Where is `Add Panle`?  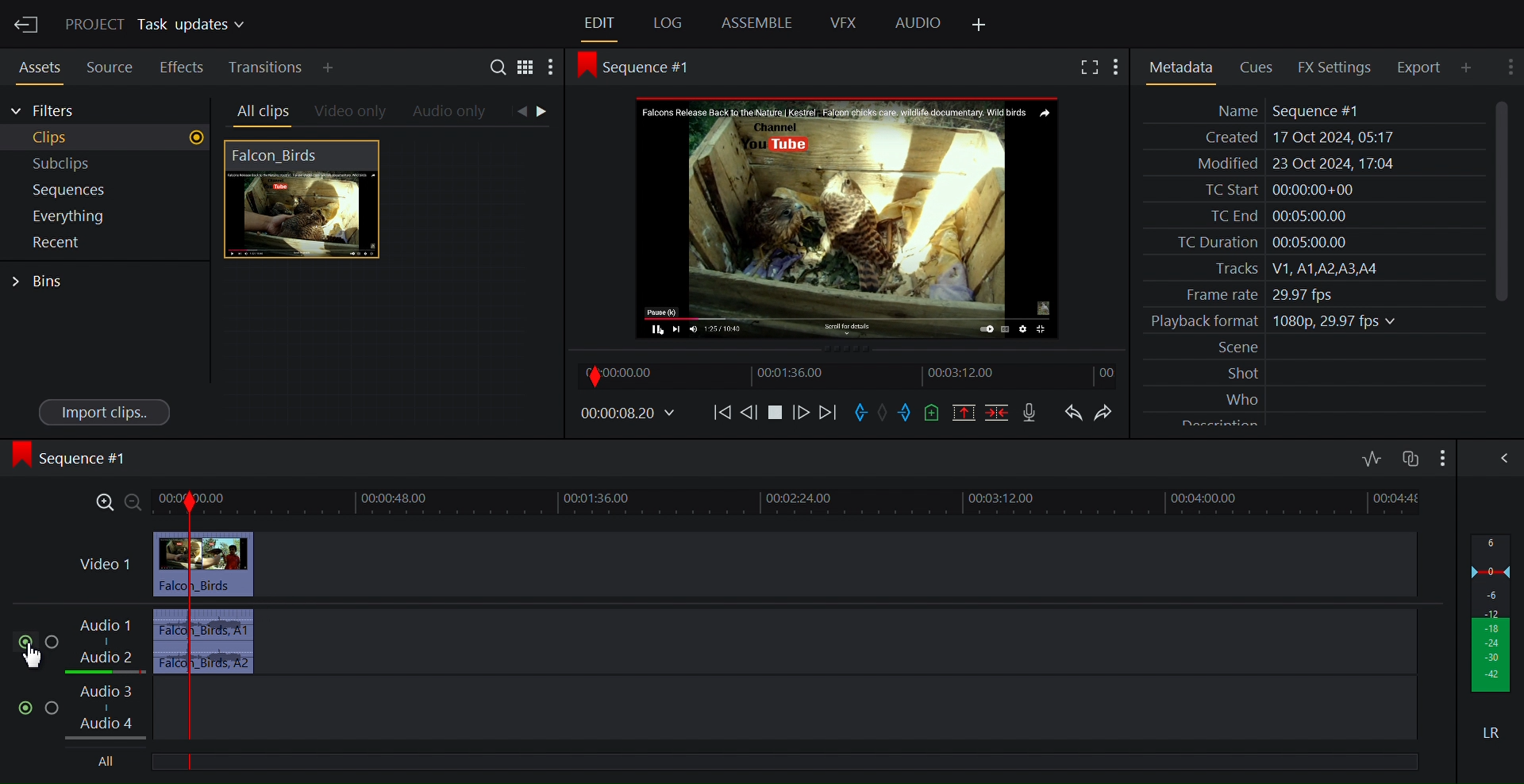
Add Panle is located at coordinates (1471, 67).